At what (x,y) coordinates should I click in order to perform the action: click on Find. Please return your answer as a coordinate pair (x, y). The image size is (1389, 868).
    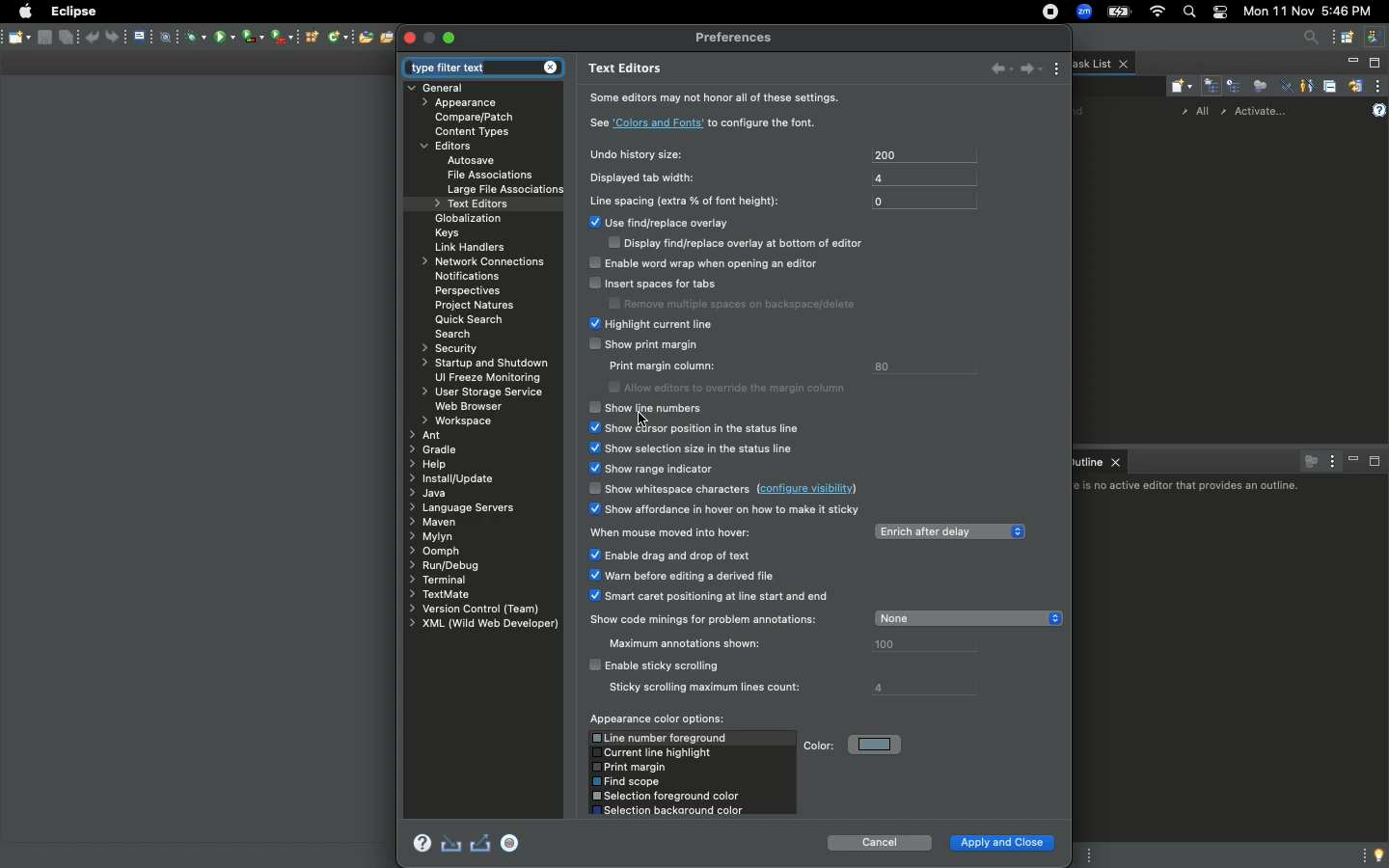
    Looking at the image, I should click on (1080, 111).